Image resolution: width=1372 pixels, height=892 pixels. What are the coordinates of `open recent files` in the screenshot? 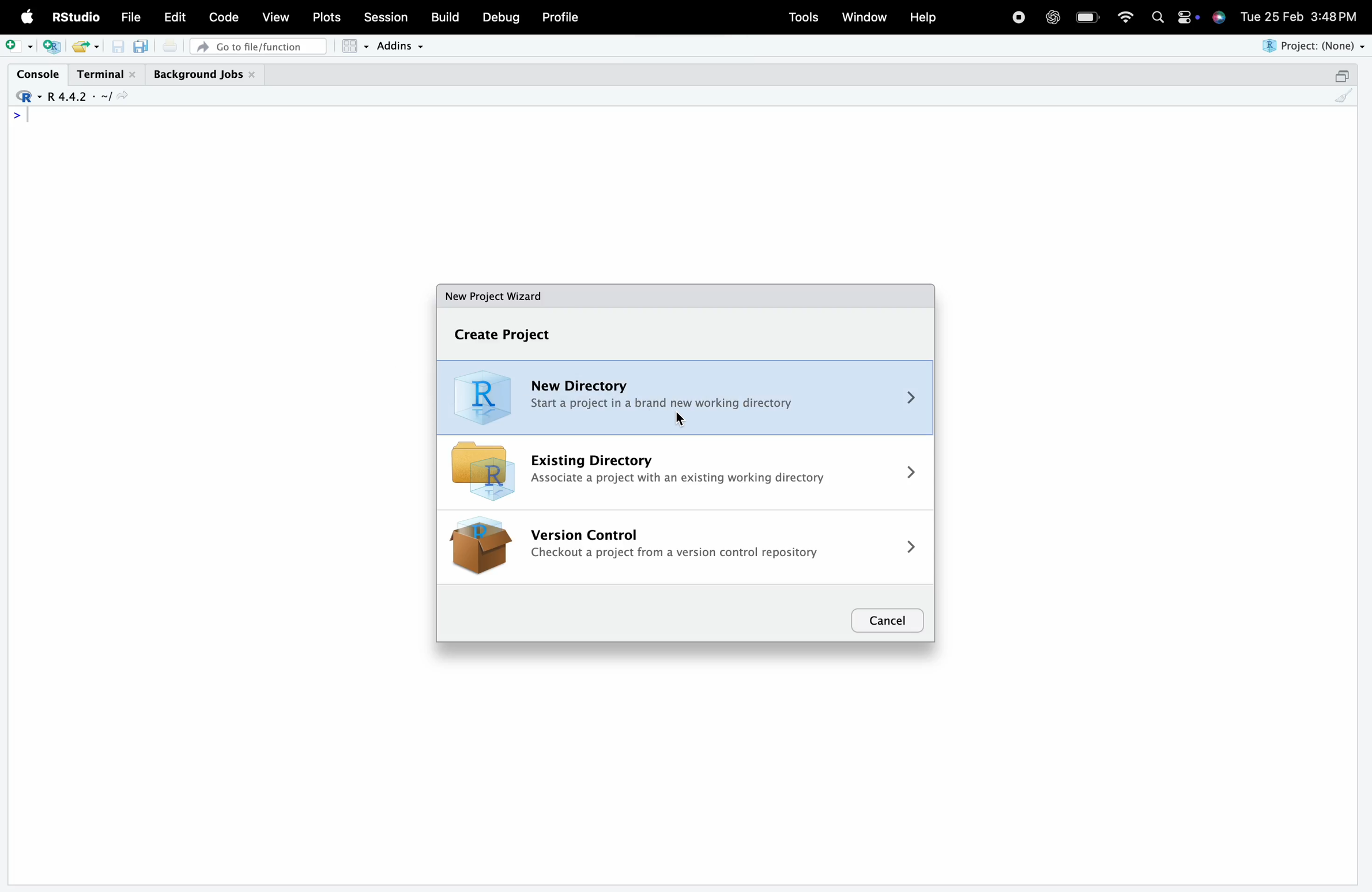 It's located at (96, 47).